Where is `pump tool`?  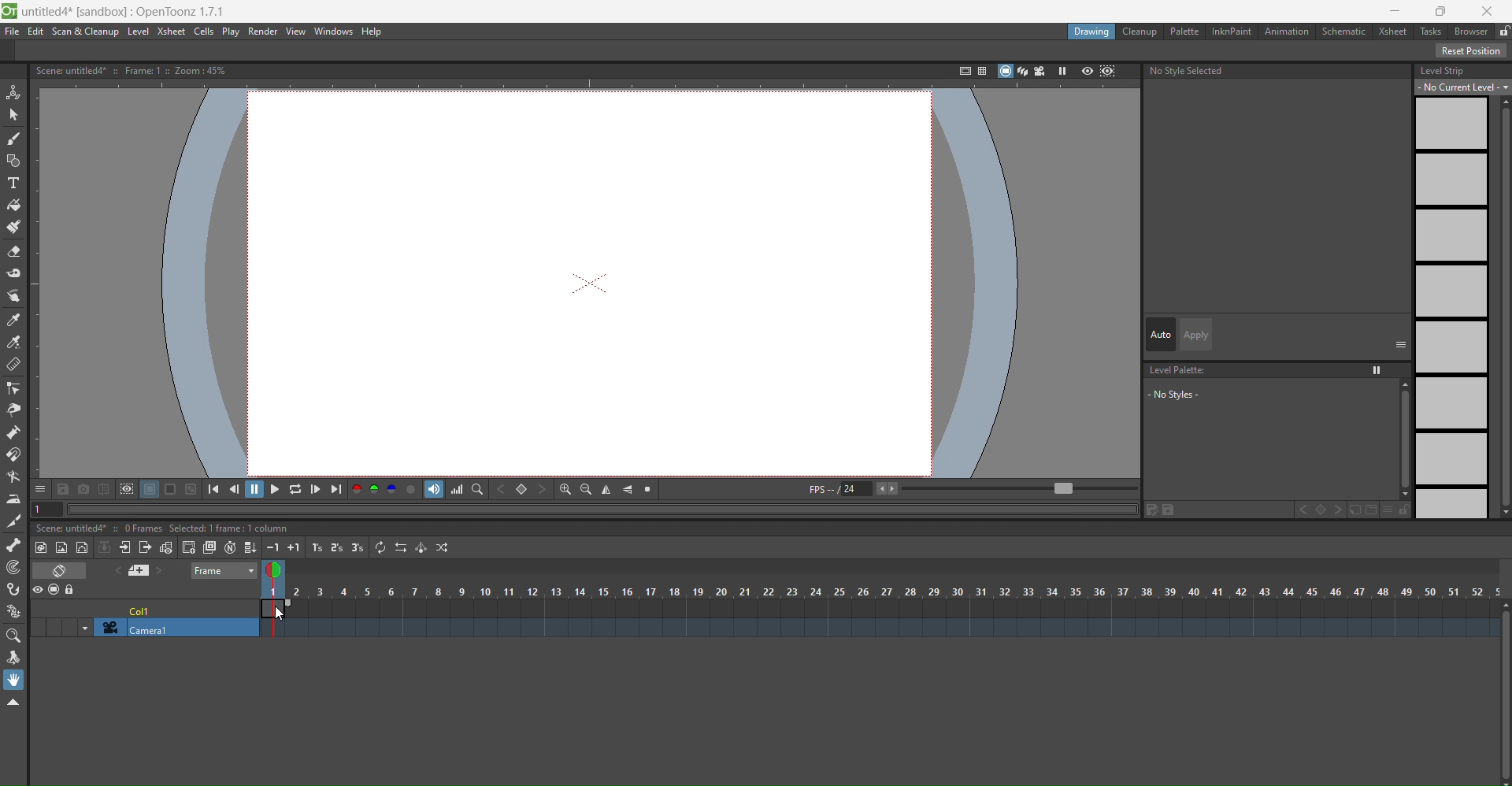
pump tool is located at coordinates (12, 432).